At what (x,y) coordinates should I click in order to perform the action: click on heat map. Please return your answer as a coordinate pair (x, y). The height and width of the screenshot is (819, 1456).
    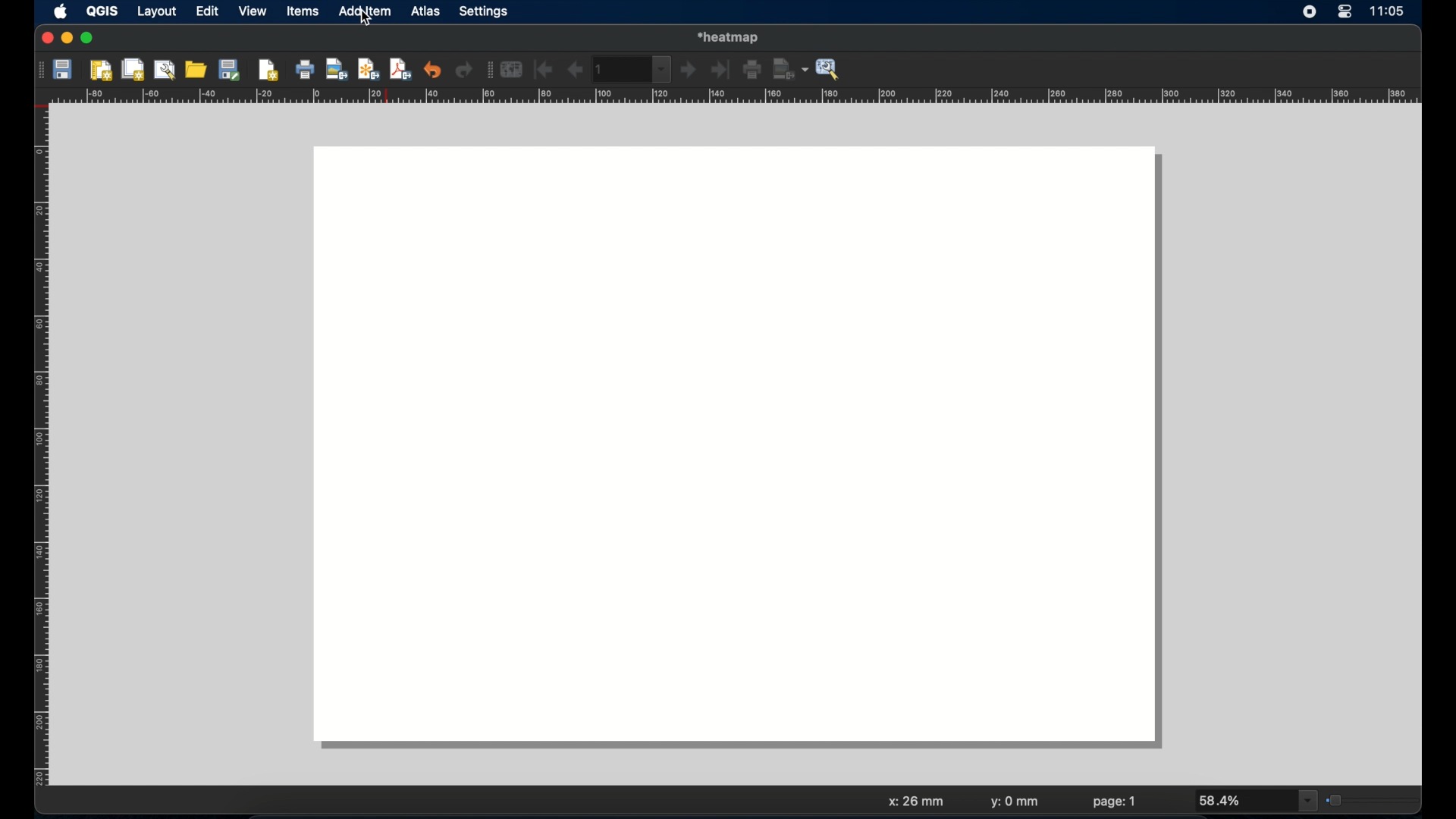
    Looking at the image, I should click on (732, 36).